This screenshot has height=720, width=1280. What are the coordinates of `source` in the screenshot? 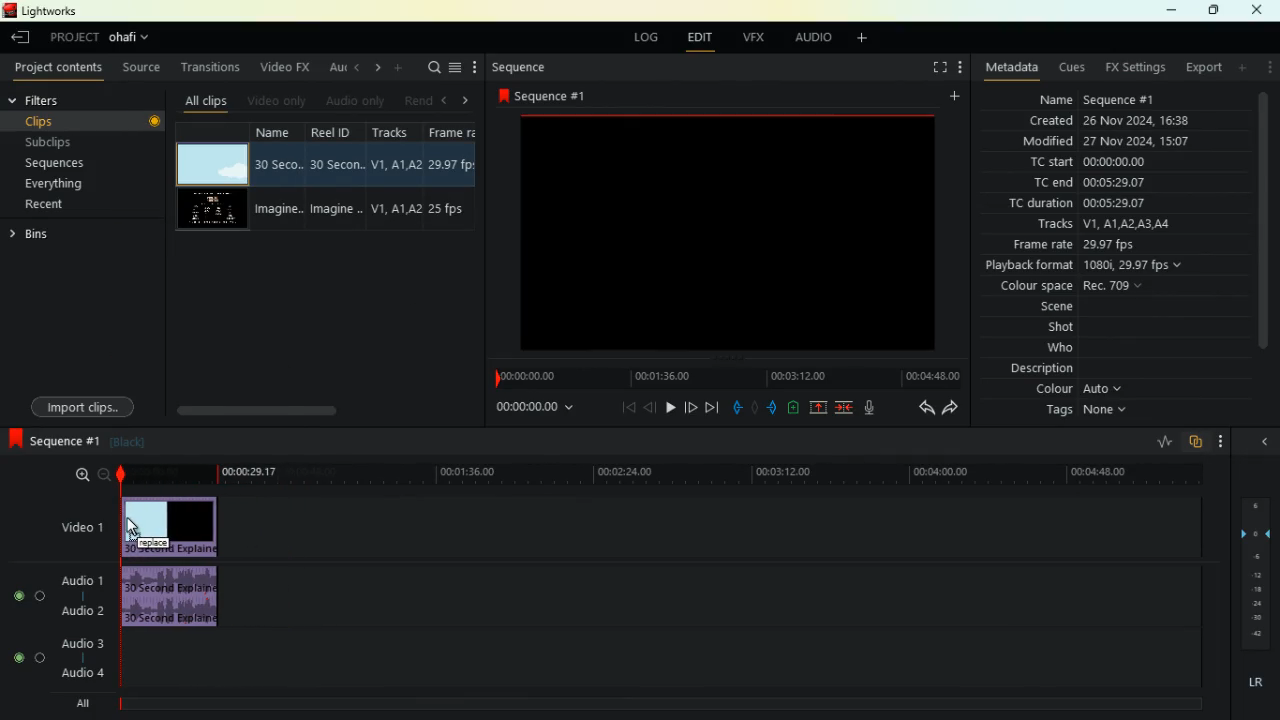 It's located at (145, 67).